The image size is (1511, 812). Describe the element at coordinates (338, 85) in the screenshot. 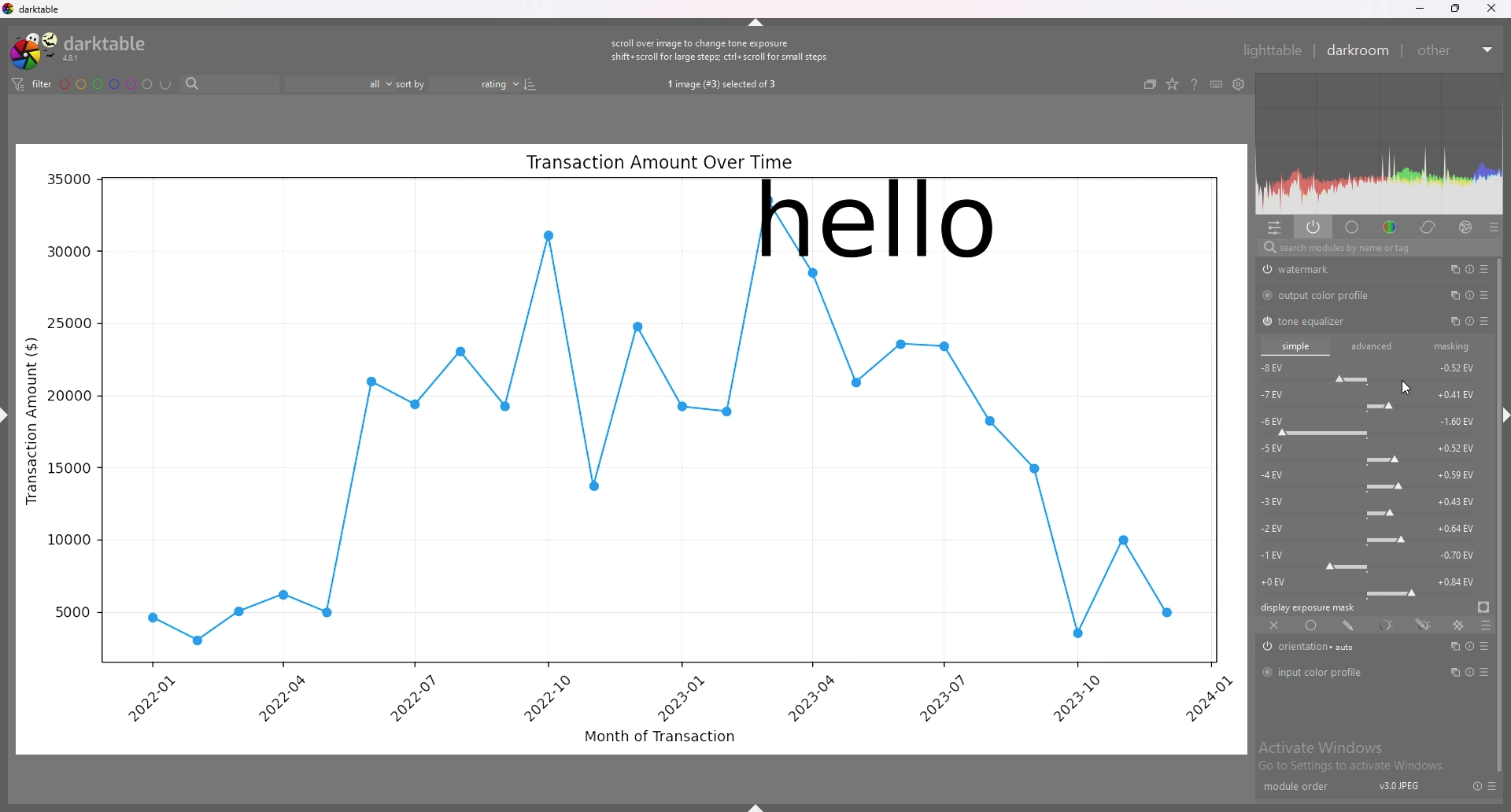

I see `filter by images rating` at that location.